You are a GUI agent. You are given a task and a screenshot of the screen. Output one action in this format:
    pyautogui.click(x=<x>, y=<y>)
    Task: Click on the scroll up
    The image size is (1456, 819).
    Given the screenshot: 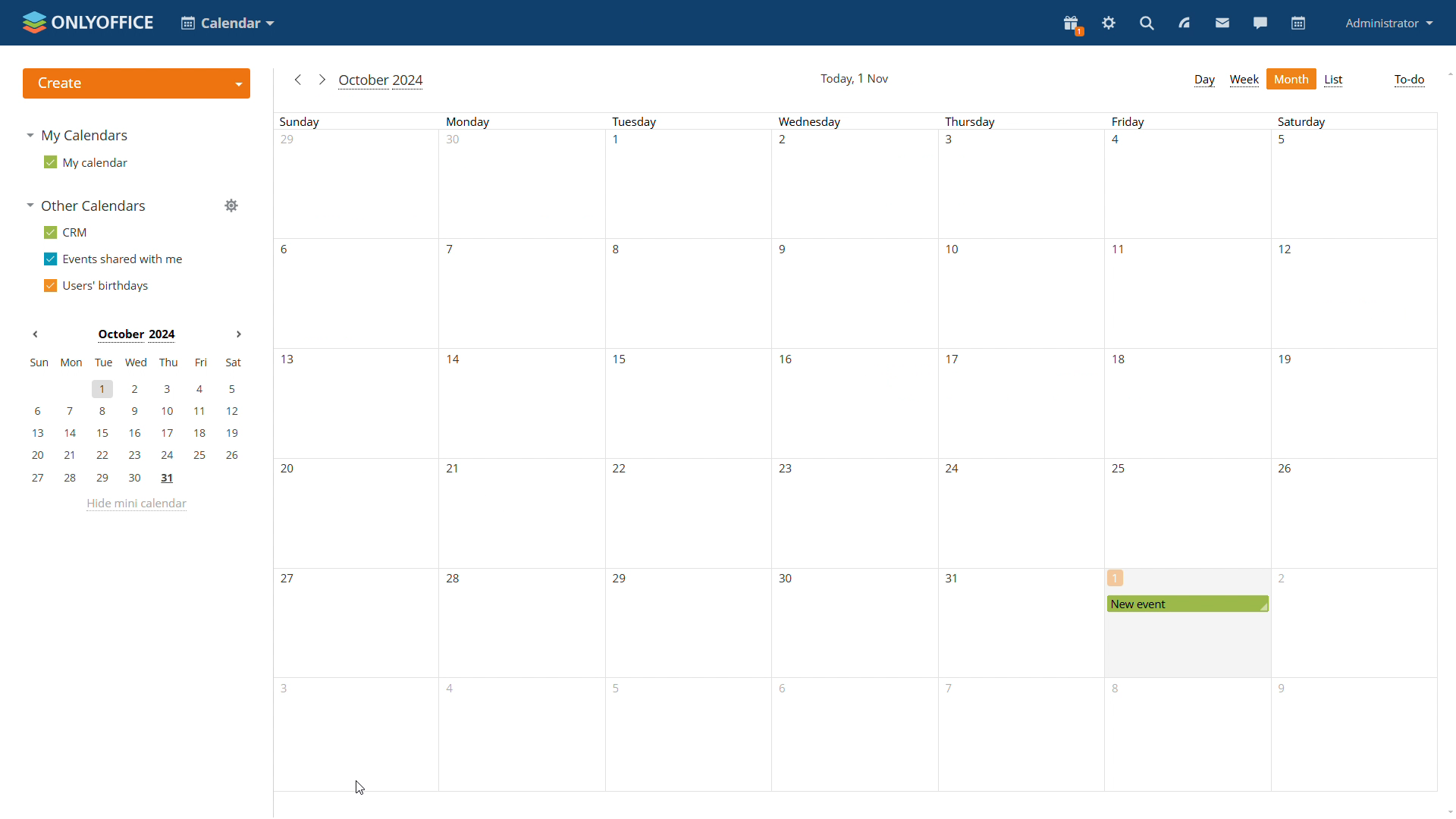 What is the action you would take?
    pyautogui.click(x=1449, y=75)
    